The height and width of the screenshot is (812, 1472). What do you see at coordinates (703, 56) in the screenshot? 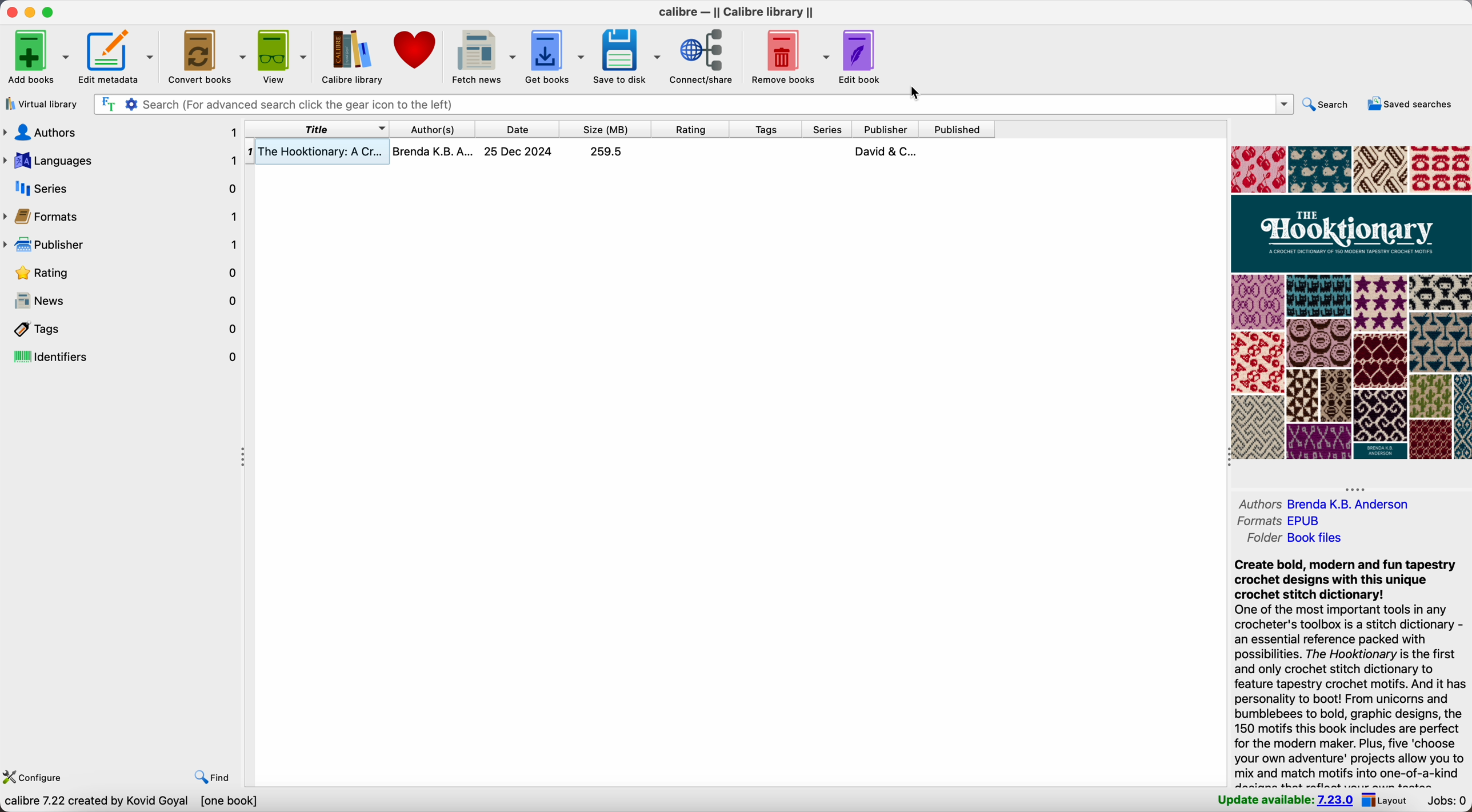
I see `connect/share` at bounding box center [703, 56].